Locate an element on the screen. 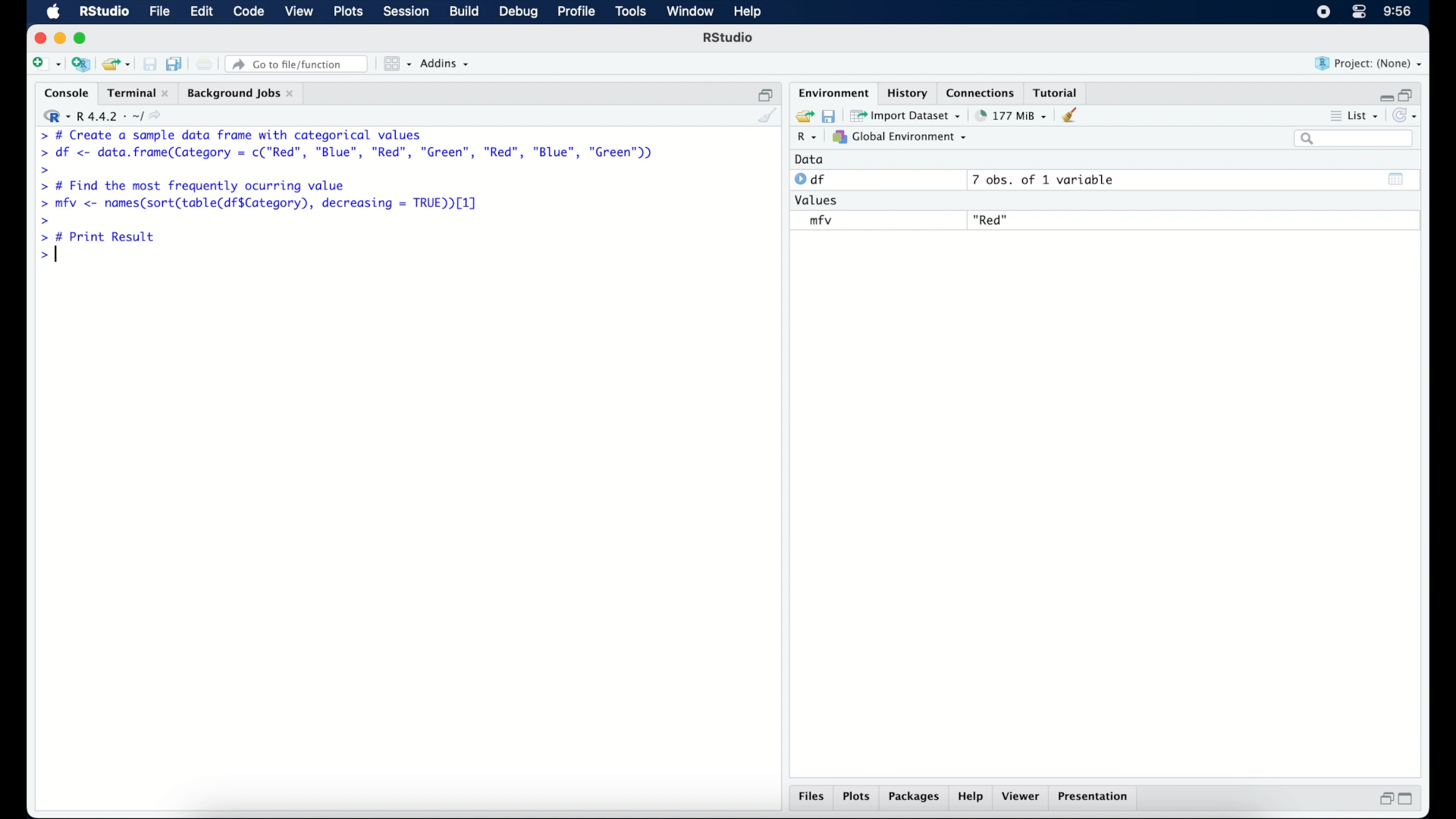 Image resolution: width=1456 pixels, height=819 pixels. macOS  is located at coordinates (53, 12).